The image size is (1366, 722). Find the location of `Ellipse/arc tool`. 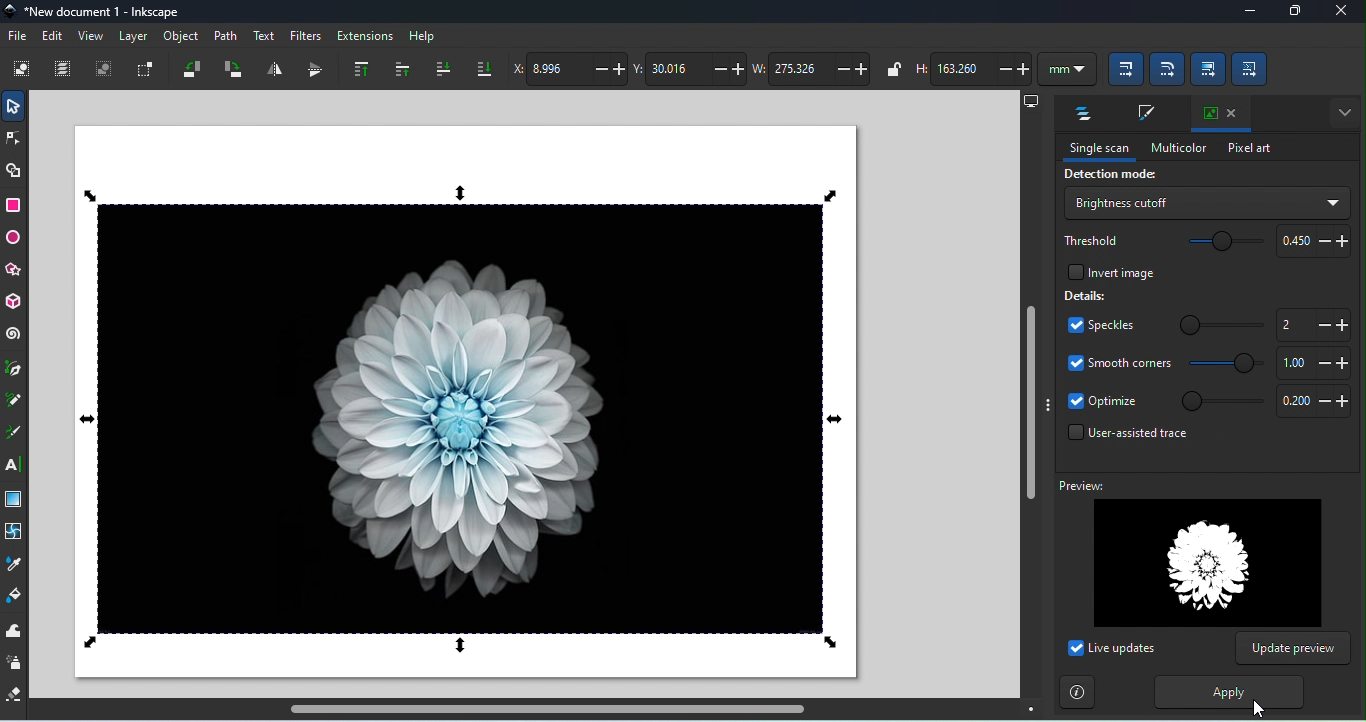

Ellipse/arc tool is located at coordinates (16, 240).